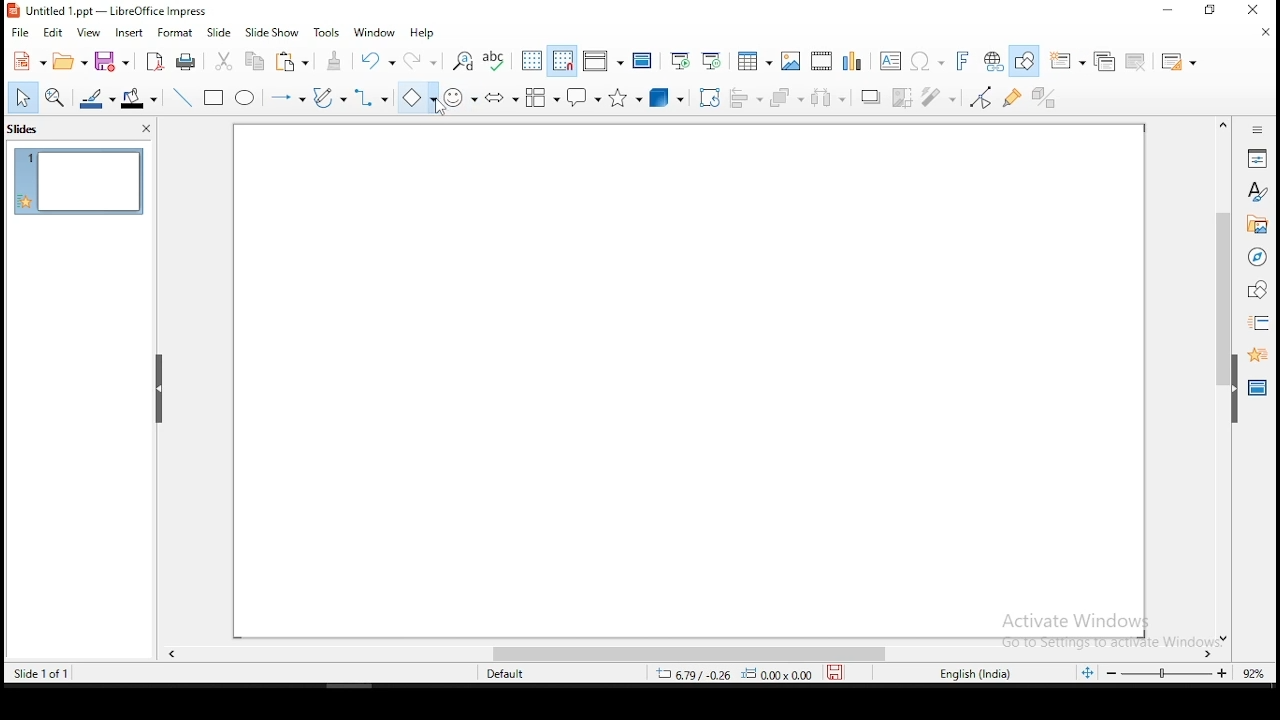  Describe the element at coordinates (329, 99) in the screenshot. I see `curves and polygons` at that location.